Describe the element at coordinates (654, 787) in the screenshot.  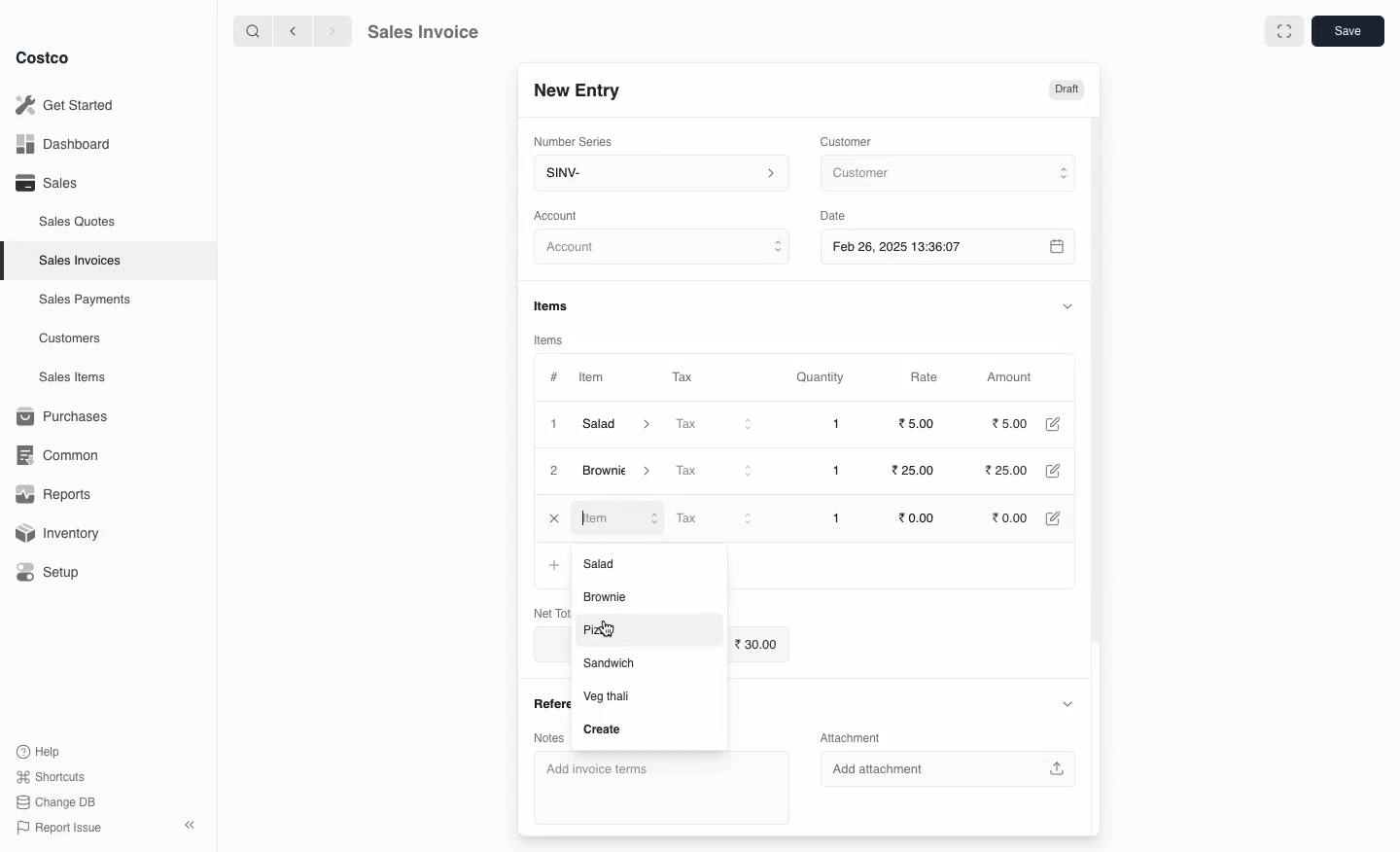
I see `‘Add invoice terms` at that location.